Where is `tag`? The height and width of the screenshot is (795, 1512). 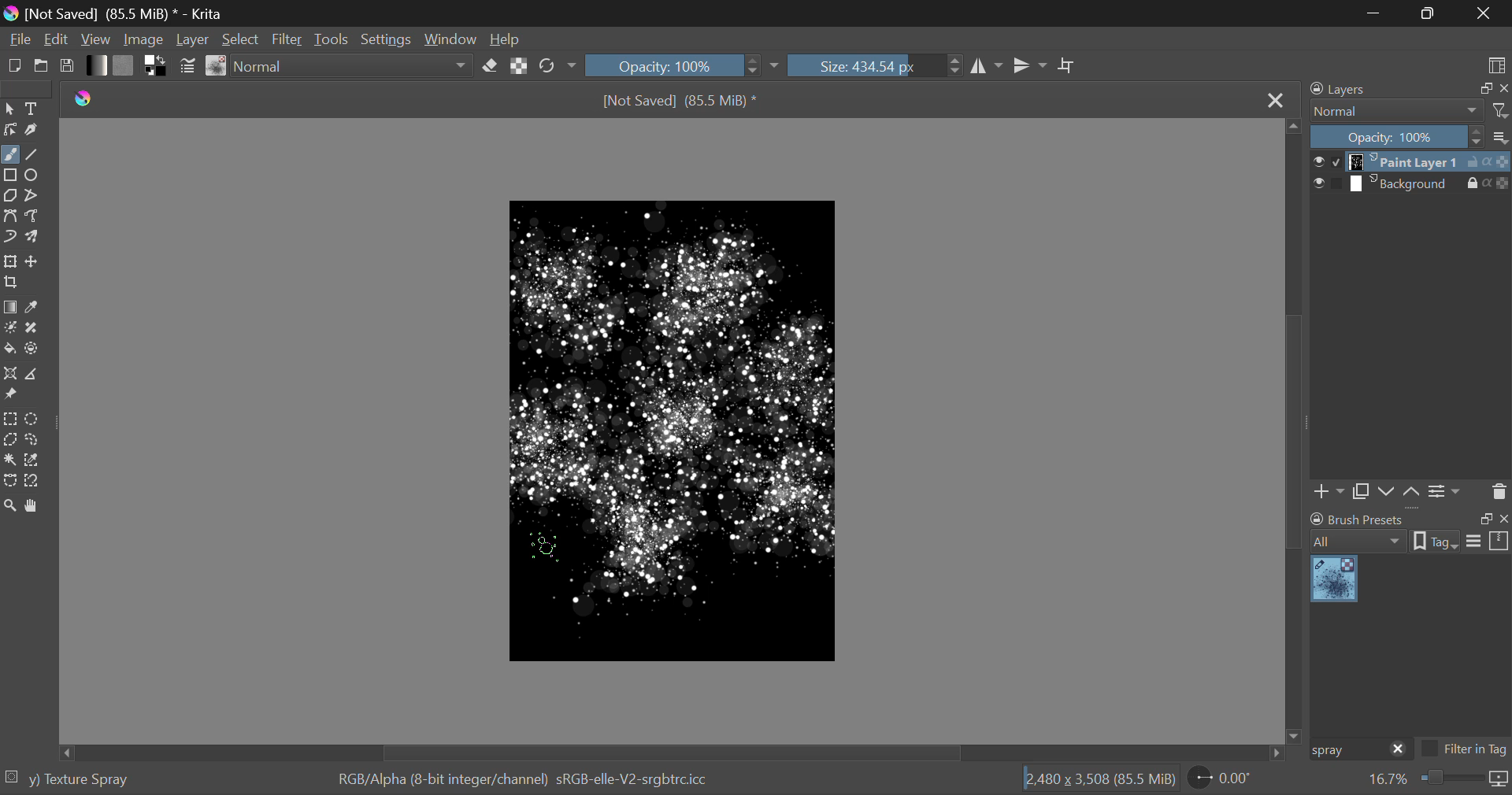 tag is located at coordinates (1436, 543).